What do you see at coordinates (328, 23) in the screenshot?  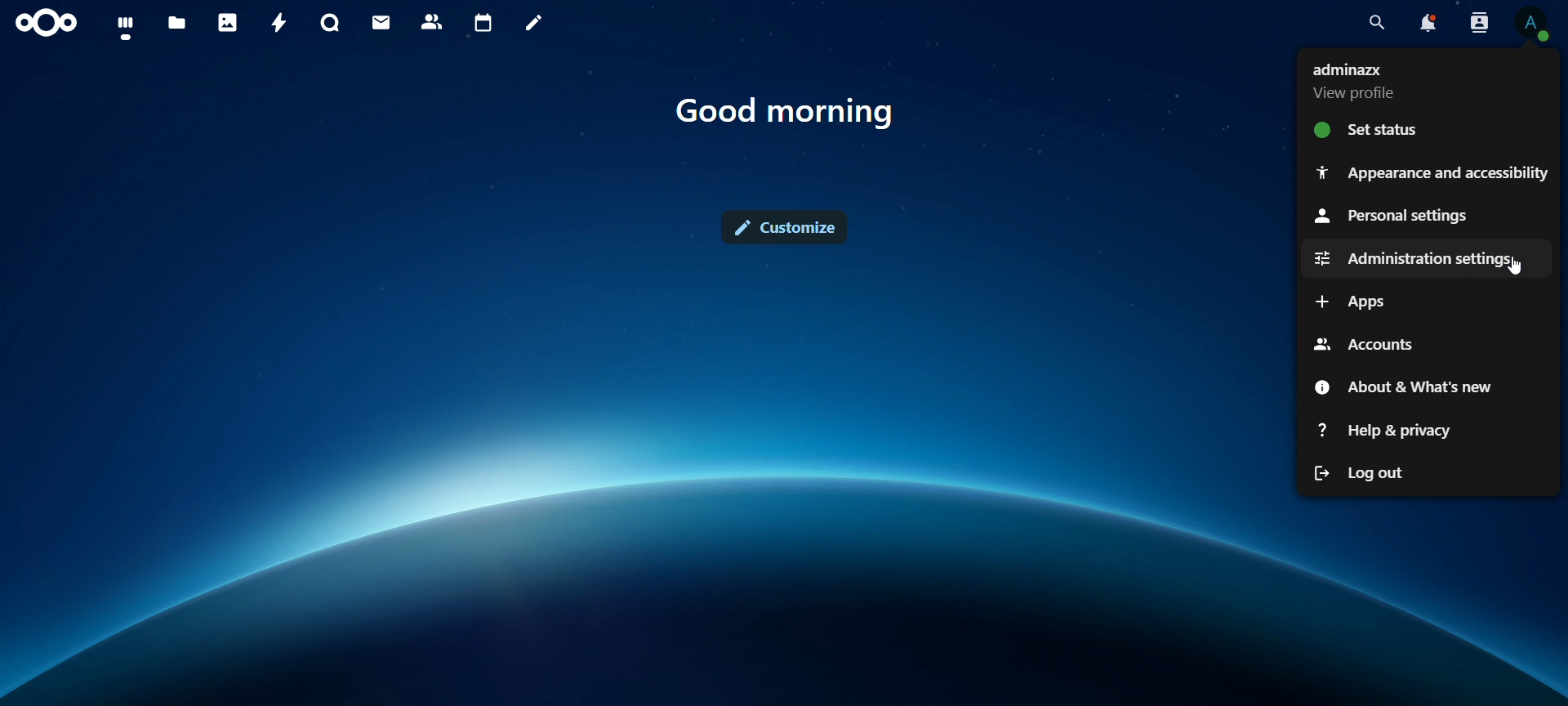 I see `talk` at bounding box center [328, 23].